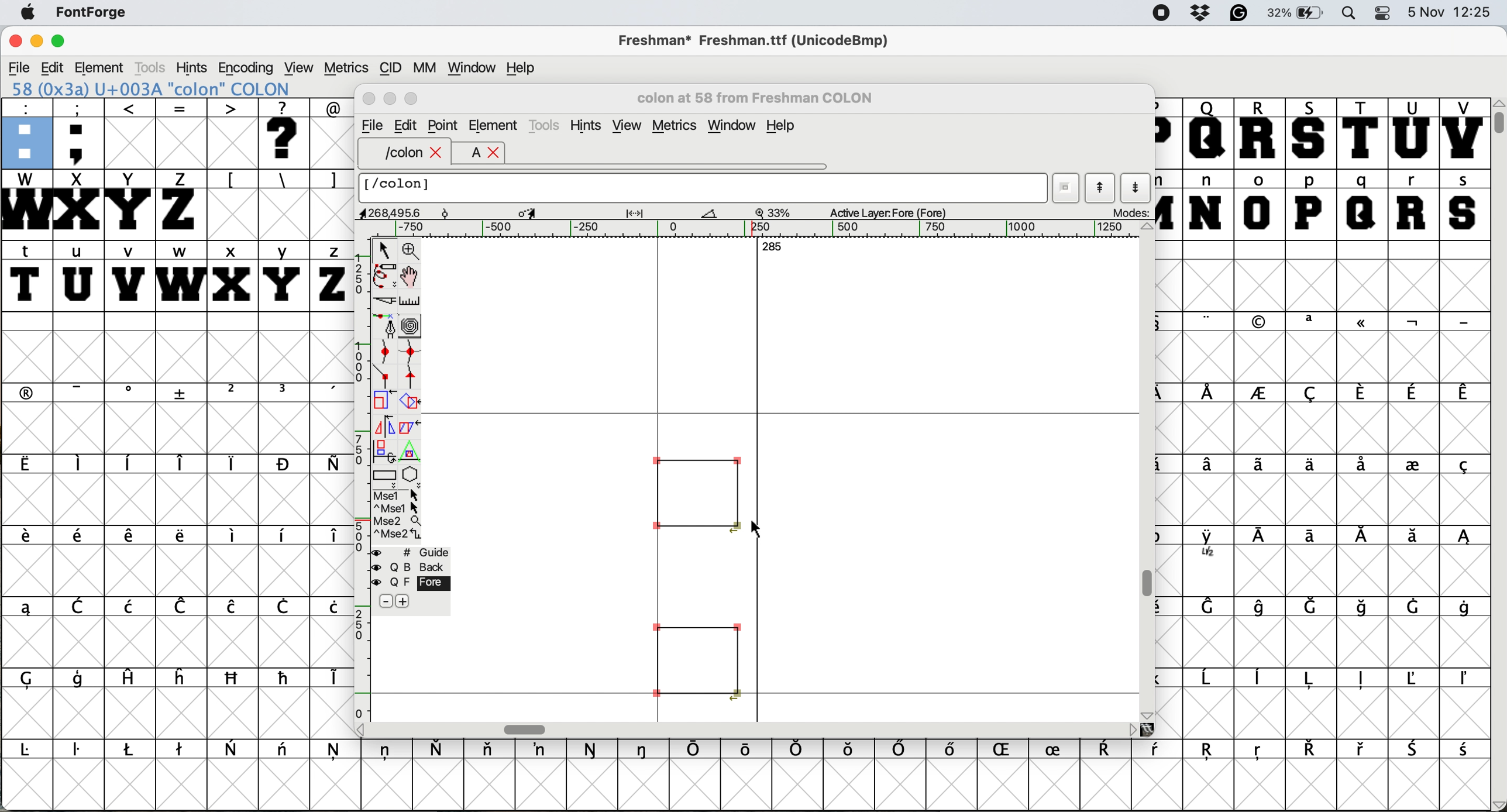 The height and width of the screenshot is (812, 1507). I want to click on window, so click(732, 125).